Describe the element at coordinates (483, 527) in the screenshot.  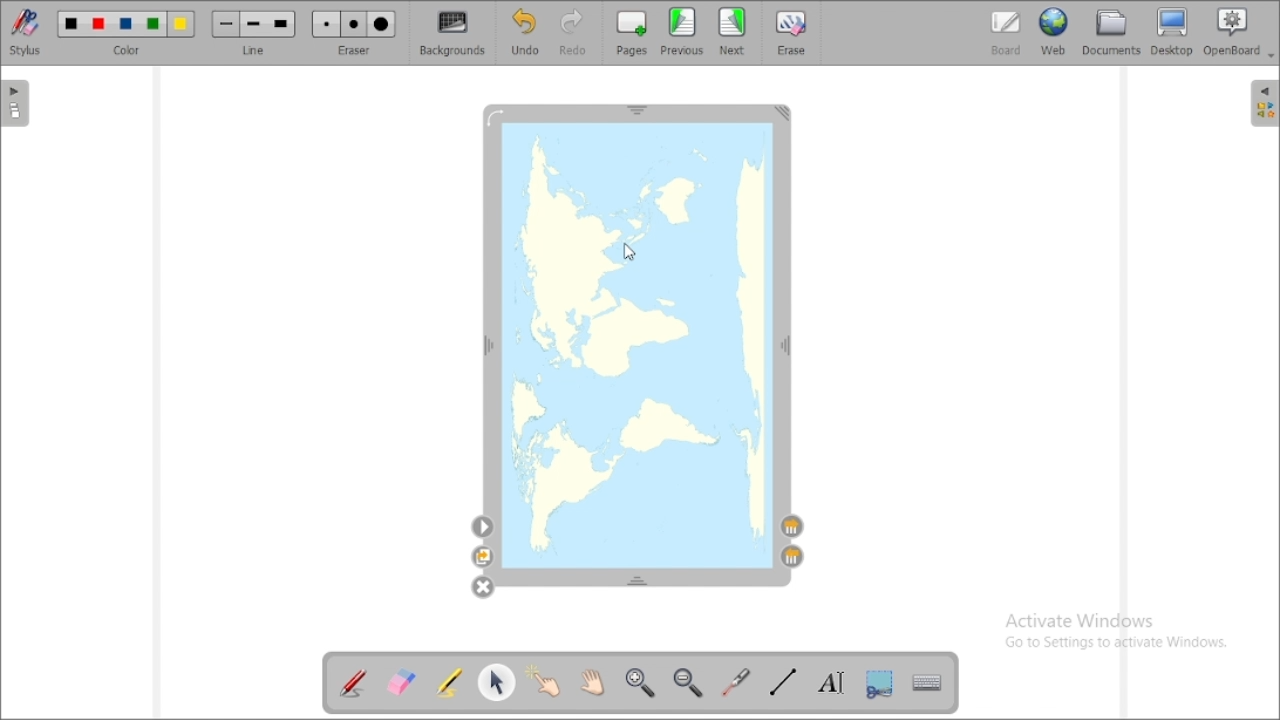
I see `settings` at that location.